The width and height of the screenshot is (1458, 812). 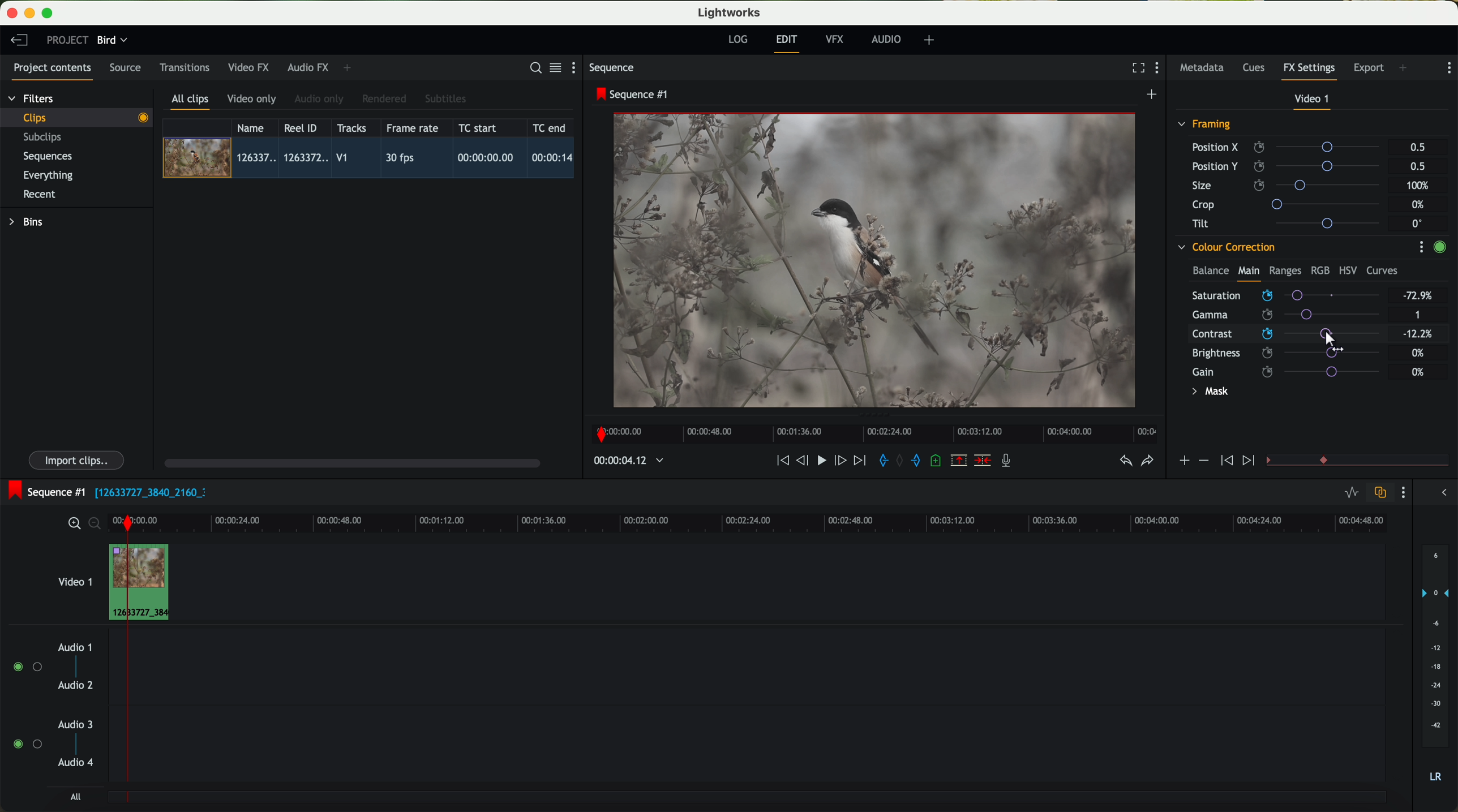 What do you see at coordinates (788, 42) in the screenshot?
I see `edit` at bounding box center [788, 42].